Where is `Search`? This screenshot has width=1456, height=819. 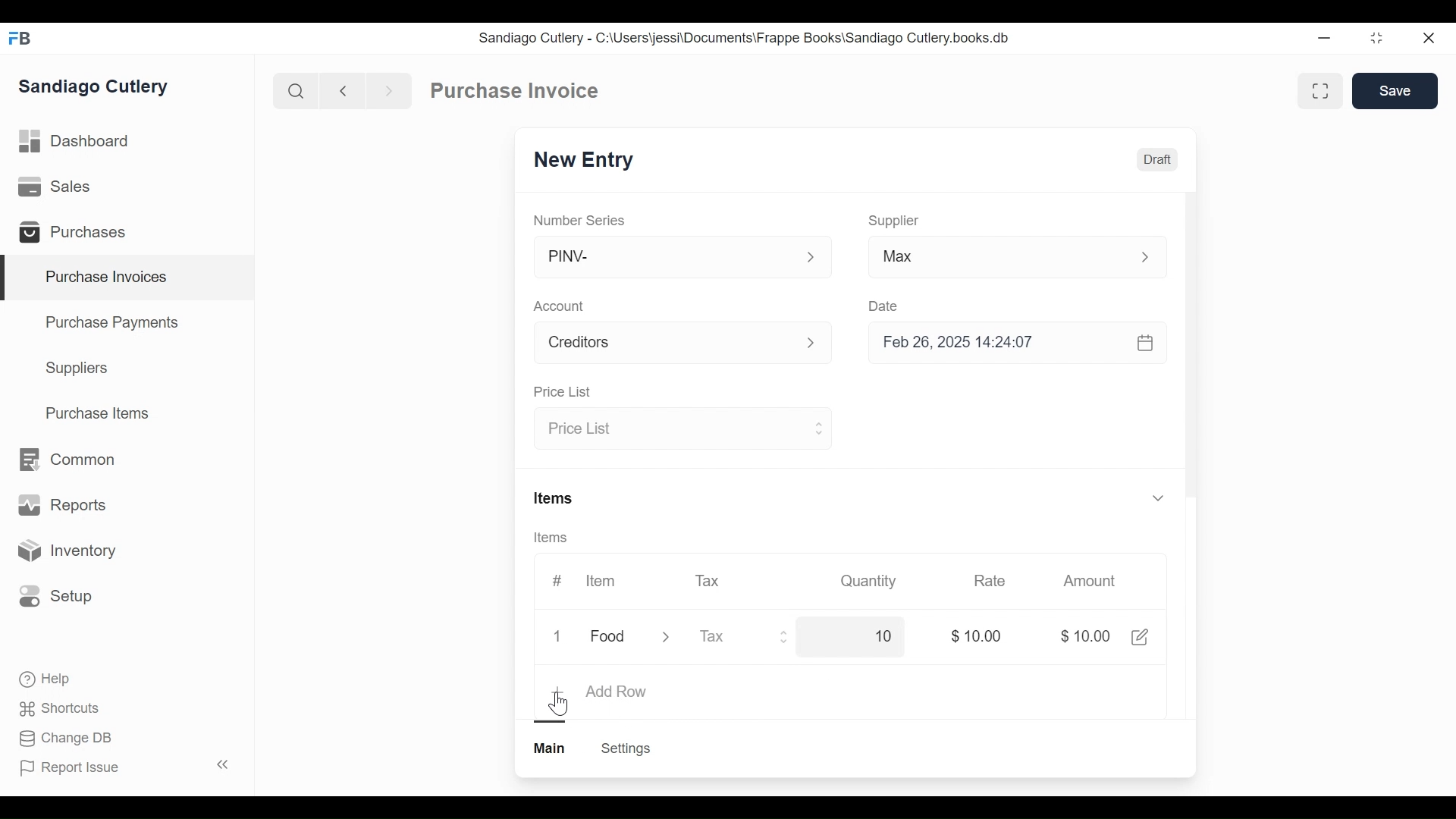 Search is located at coordinates (296, 90).